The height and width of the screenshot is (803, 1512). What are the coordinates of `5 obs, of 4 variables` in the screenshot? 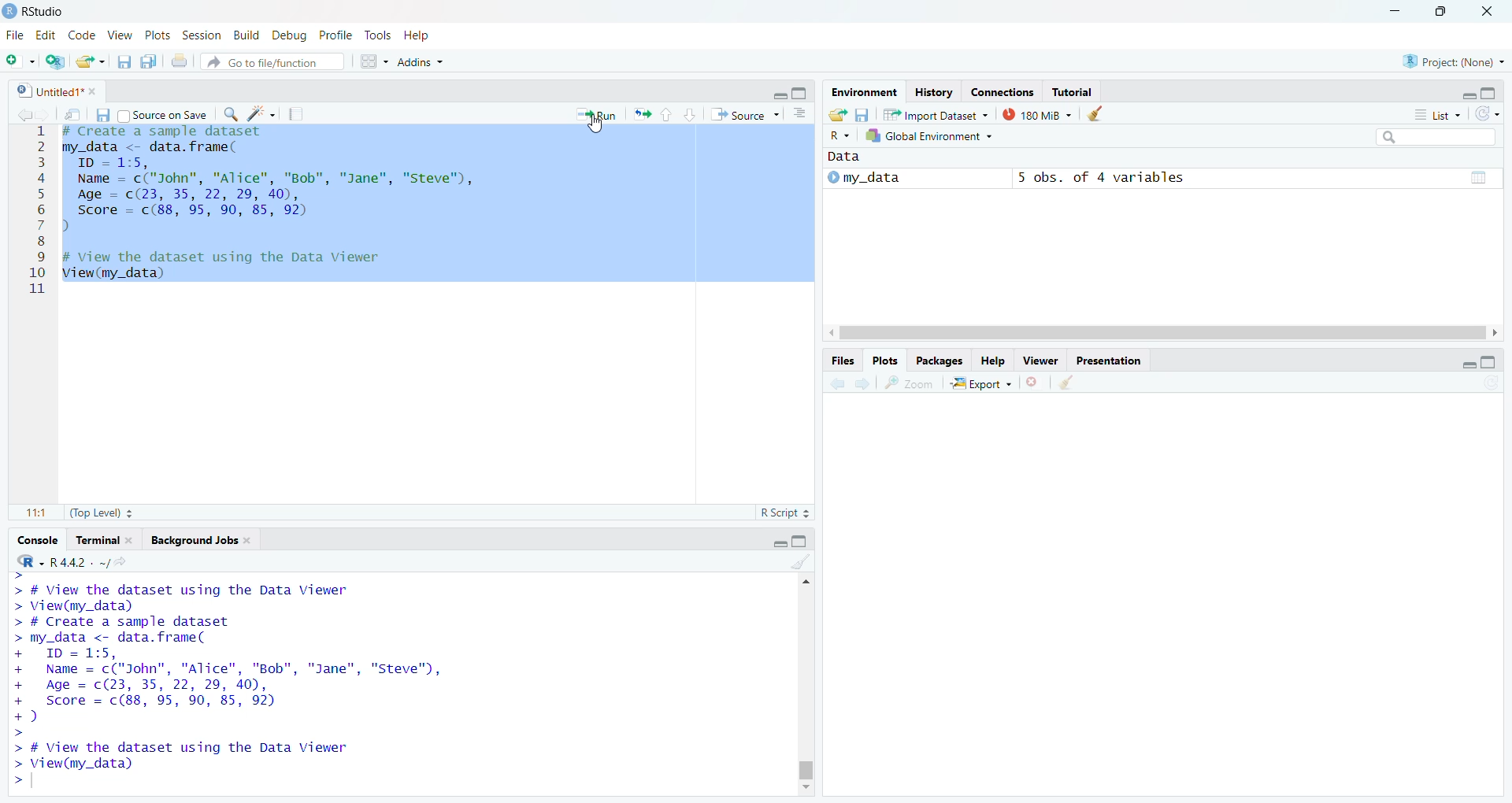 It's located at (1102, 176).